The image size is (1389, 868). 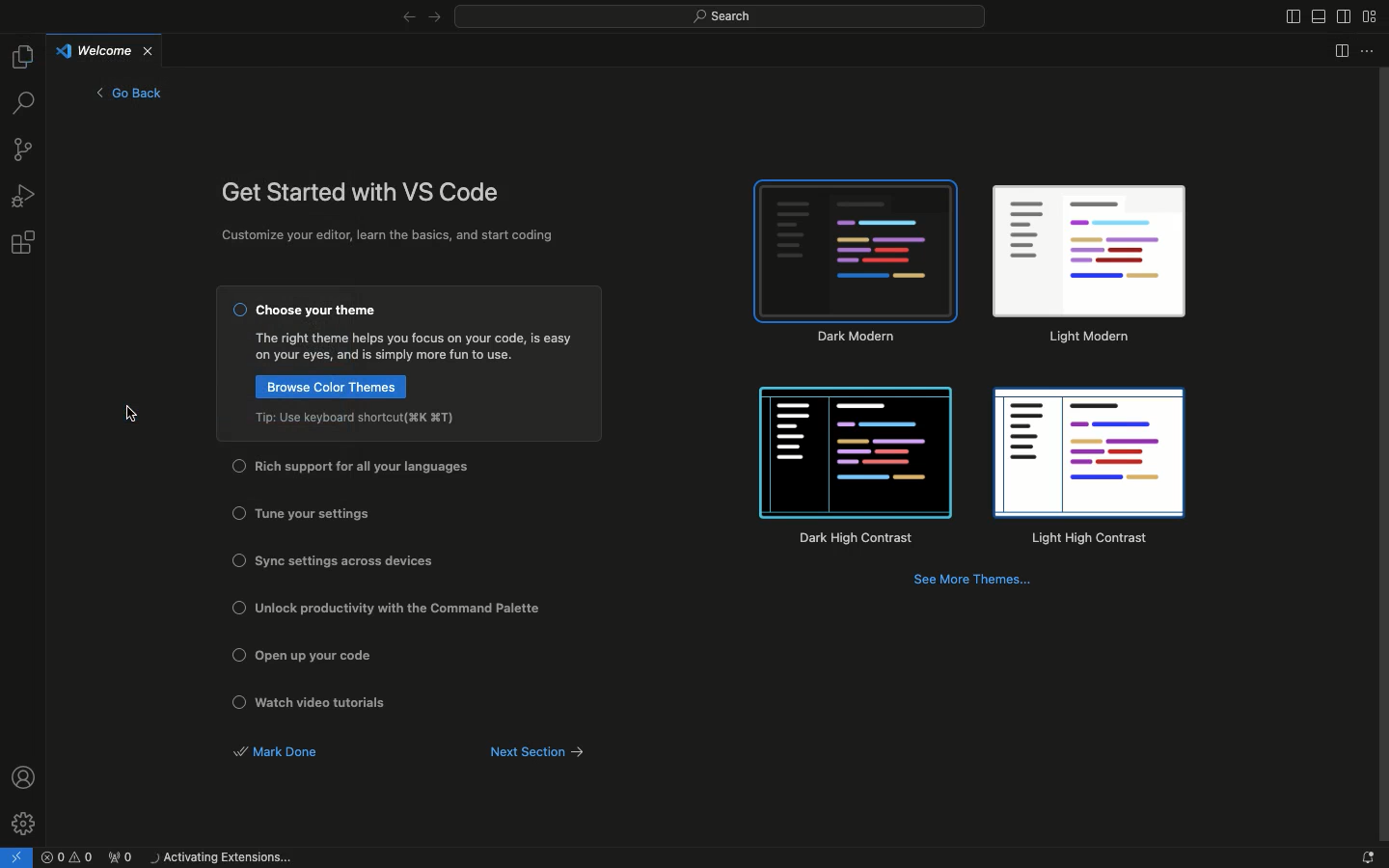 What do you see at coordinates (239, 512) in the screenshot?
I see `Checkbox` at bounding box center [239, 512].